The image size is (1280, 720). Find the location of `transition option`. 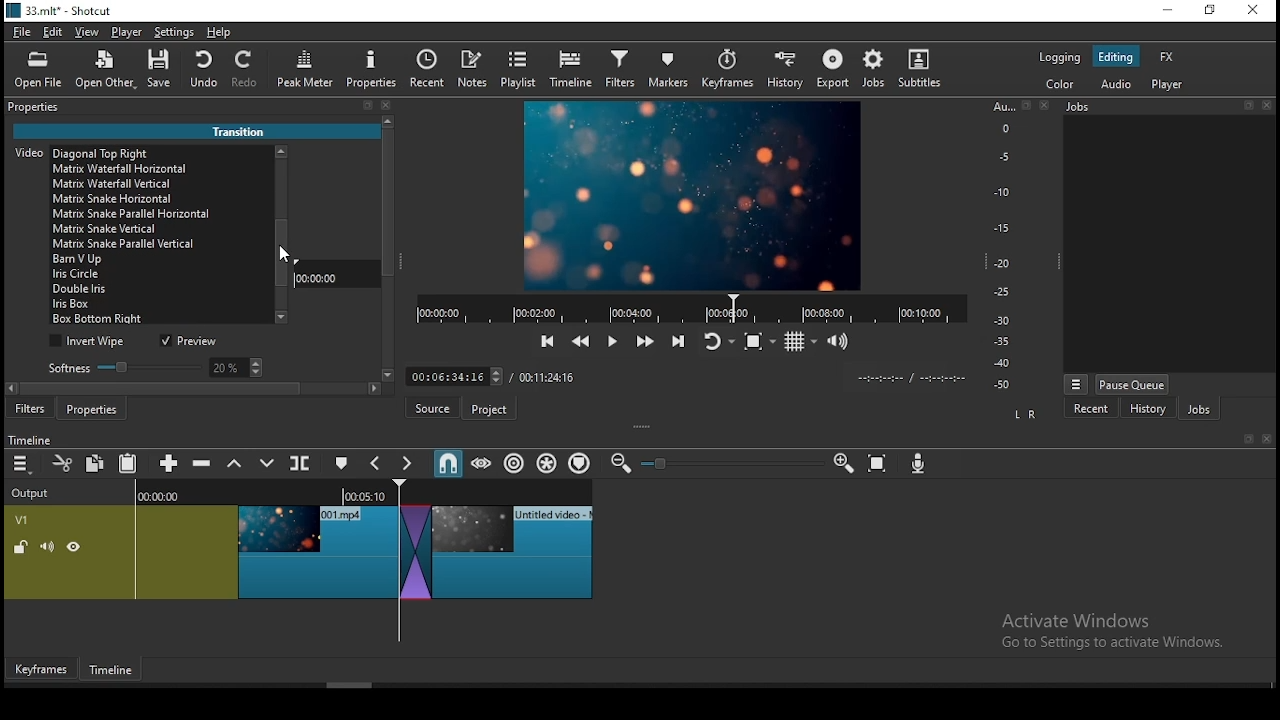

transition option is located at coordinates (162, 200).